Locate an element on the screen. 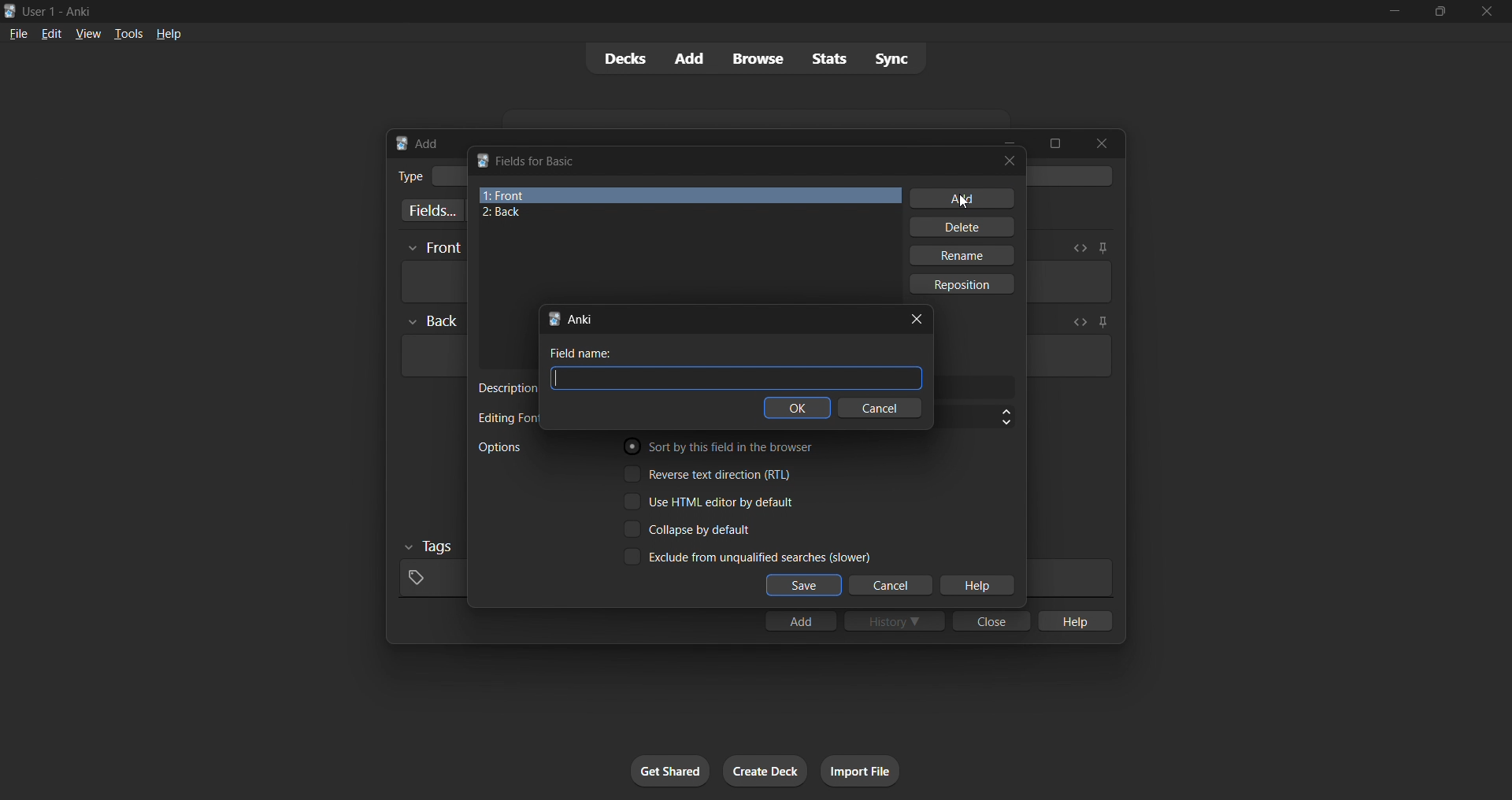 The image size is (1512, 800). back field is located at coordinates (684, 213).